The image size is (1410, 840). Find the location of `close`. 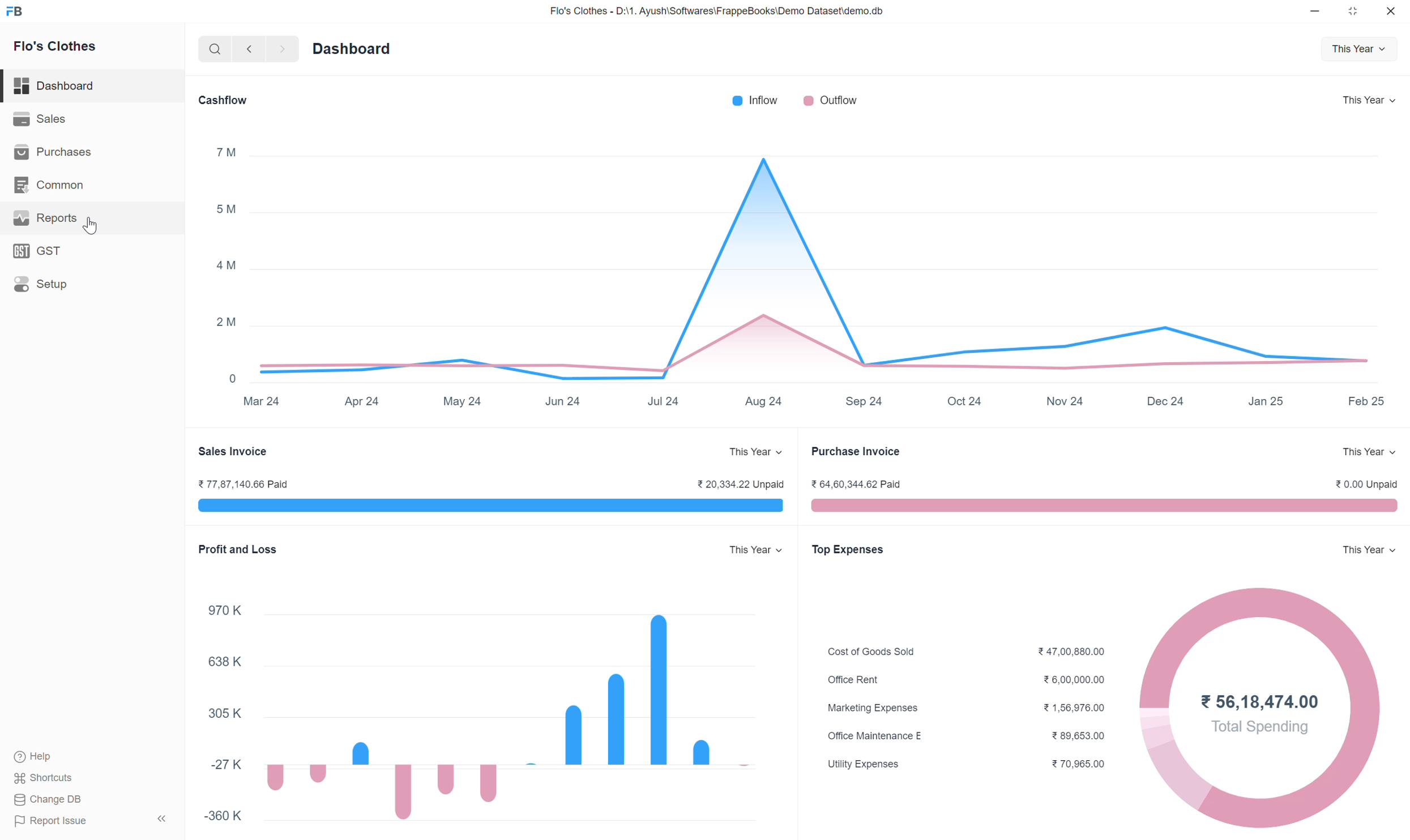

close is located at coordinates (1392, 11).